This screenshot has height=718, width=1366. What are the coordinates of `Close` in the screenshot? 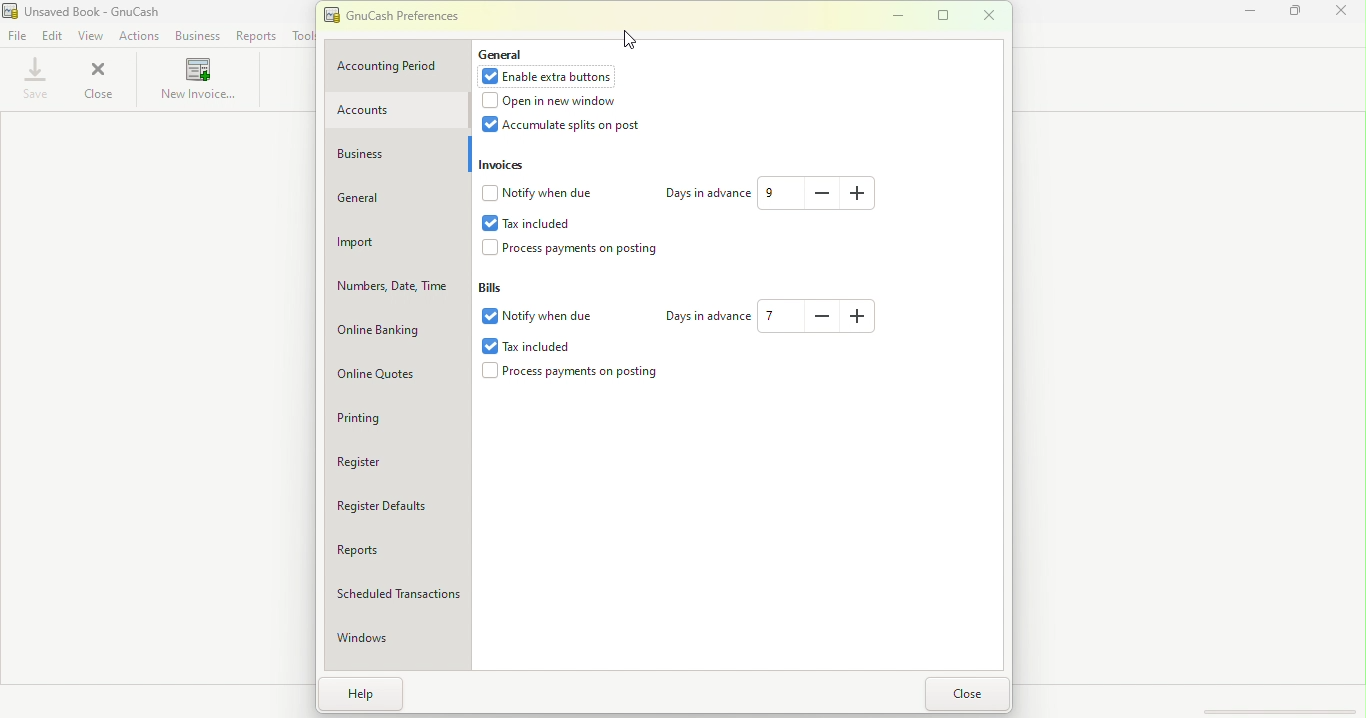 It's located at (991, 16).